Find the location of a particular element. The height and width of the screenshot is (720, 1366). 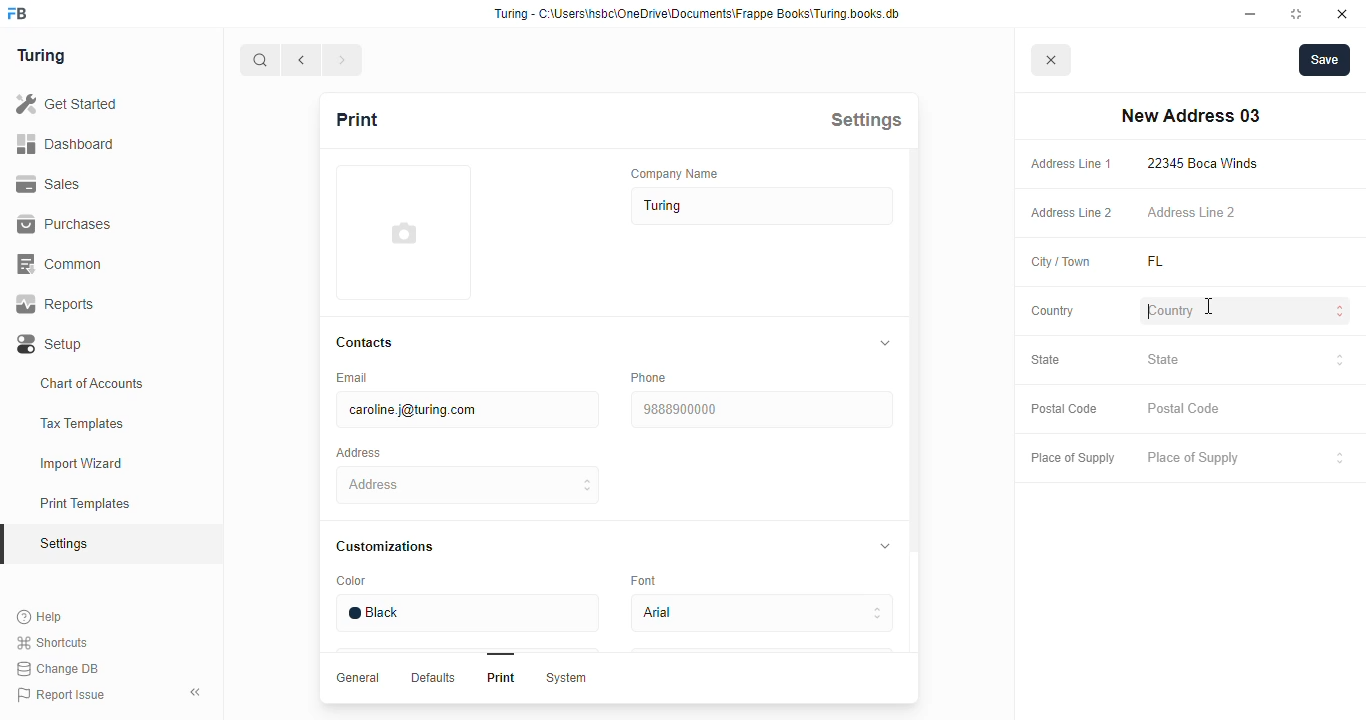

customizations is located at coordinates (384, 546).